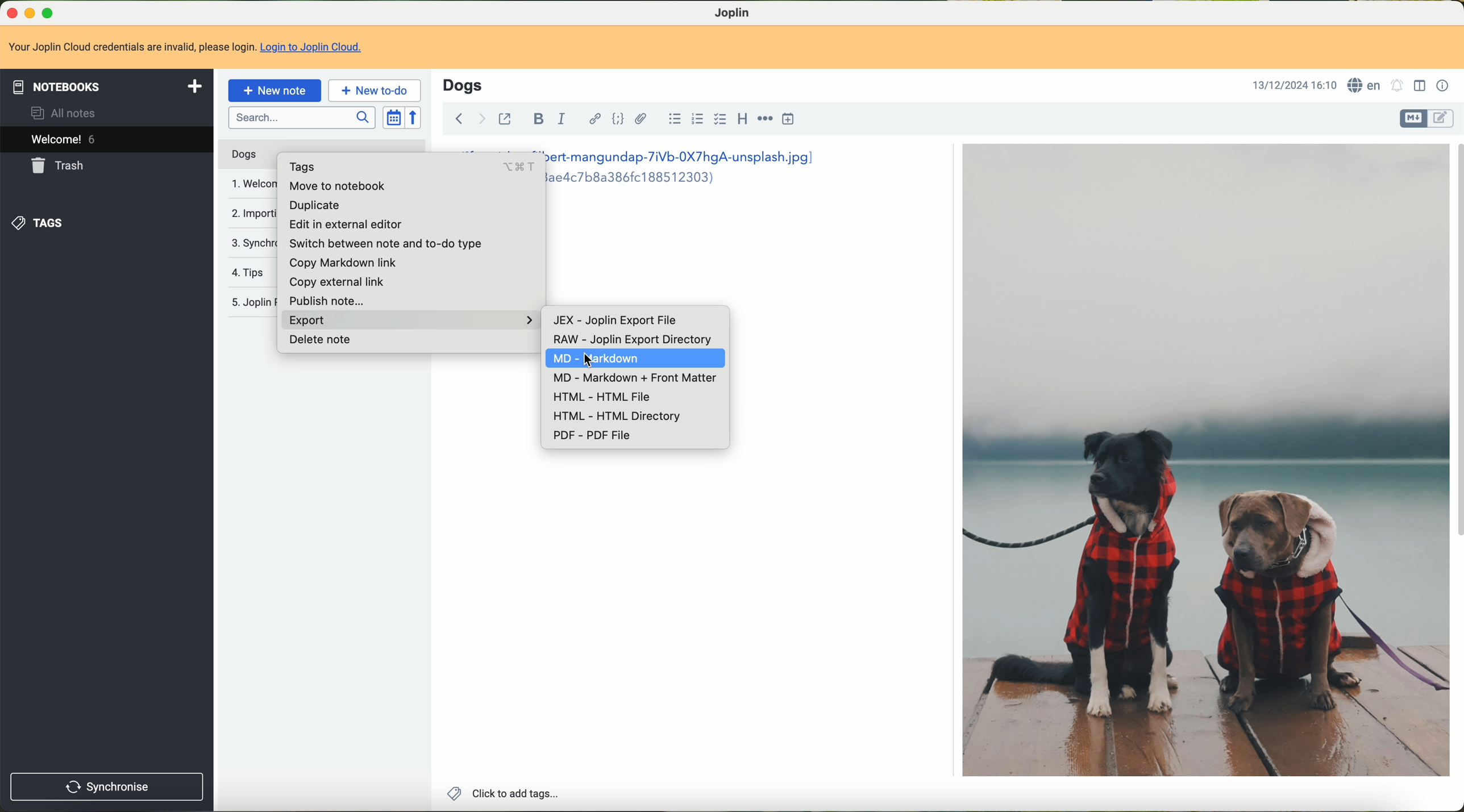 The image size is (1464, 812). I want to click on copy markdown link, so click(343, 263).